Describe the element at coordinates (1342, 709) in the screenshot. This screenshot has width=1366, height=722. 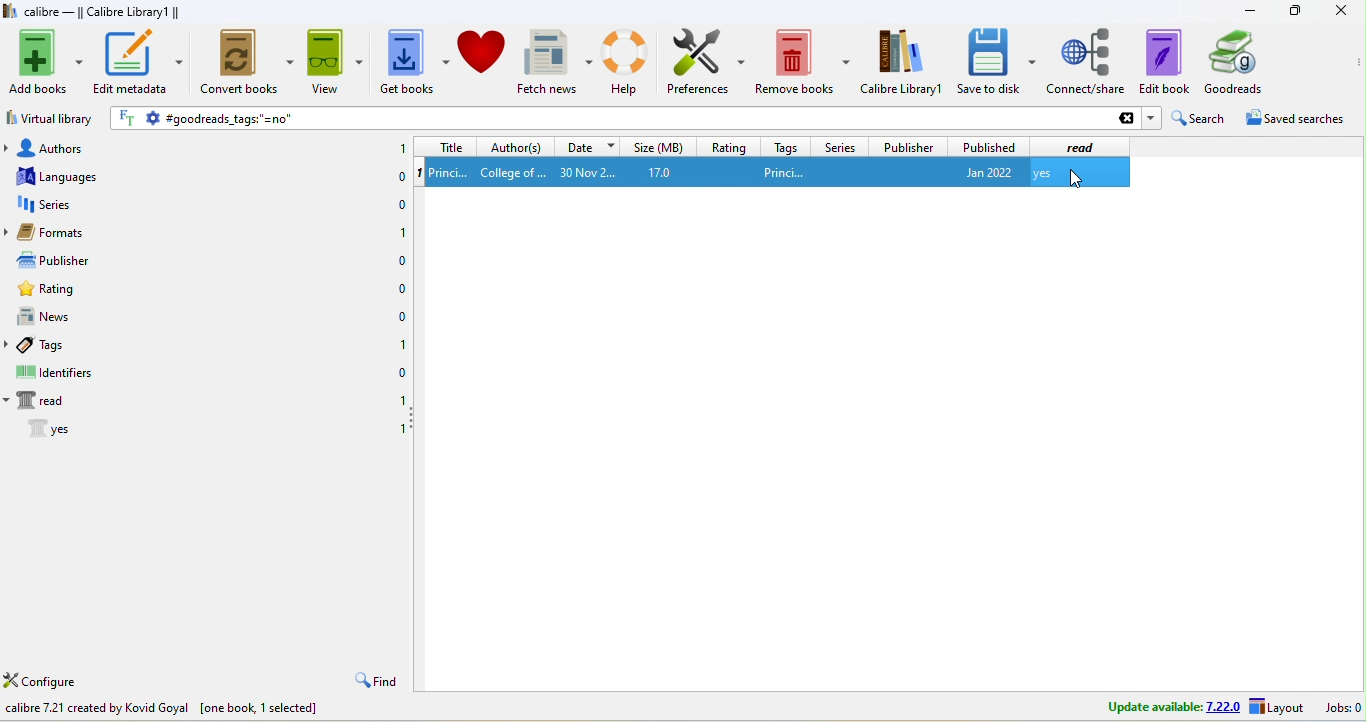
I see `jobs 0` at that location.